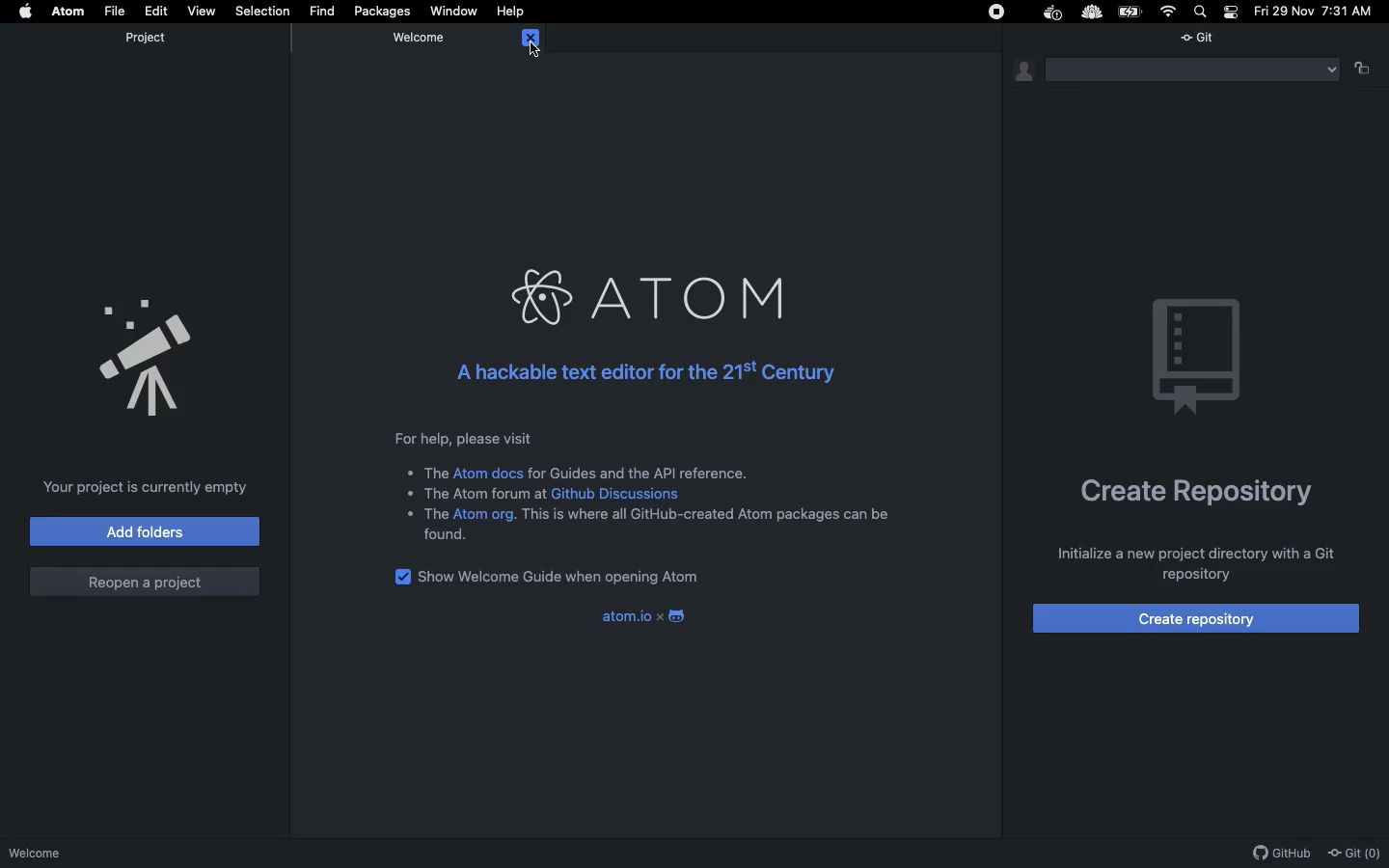 The image size is (1389, 868). Describe the element at coordinates (1198, 359) in the screenshot. I see `Emblem` at that location.